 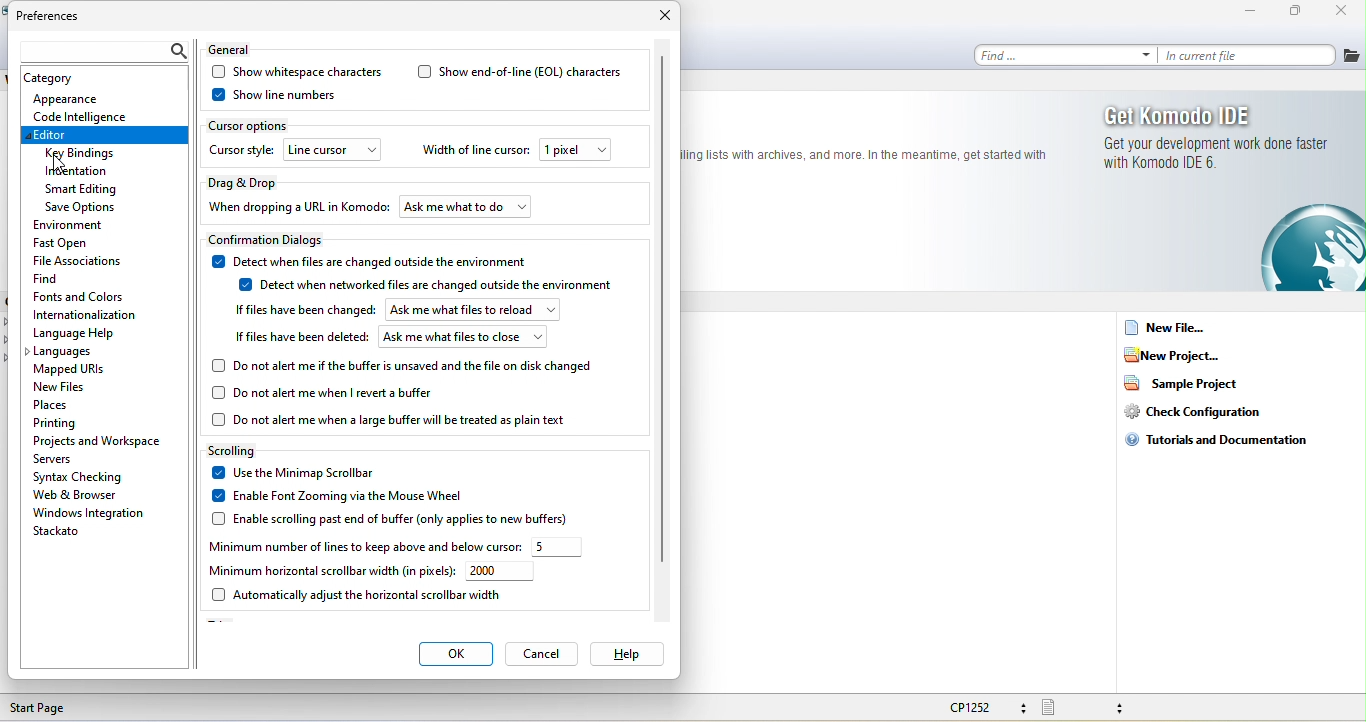 What do you see at coordinates (1206, 411) in the screenshot?
I see `check configuration` at bounding box center [1206, 411].